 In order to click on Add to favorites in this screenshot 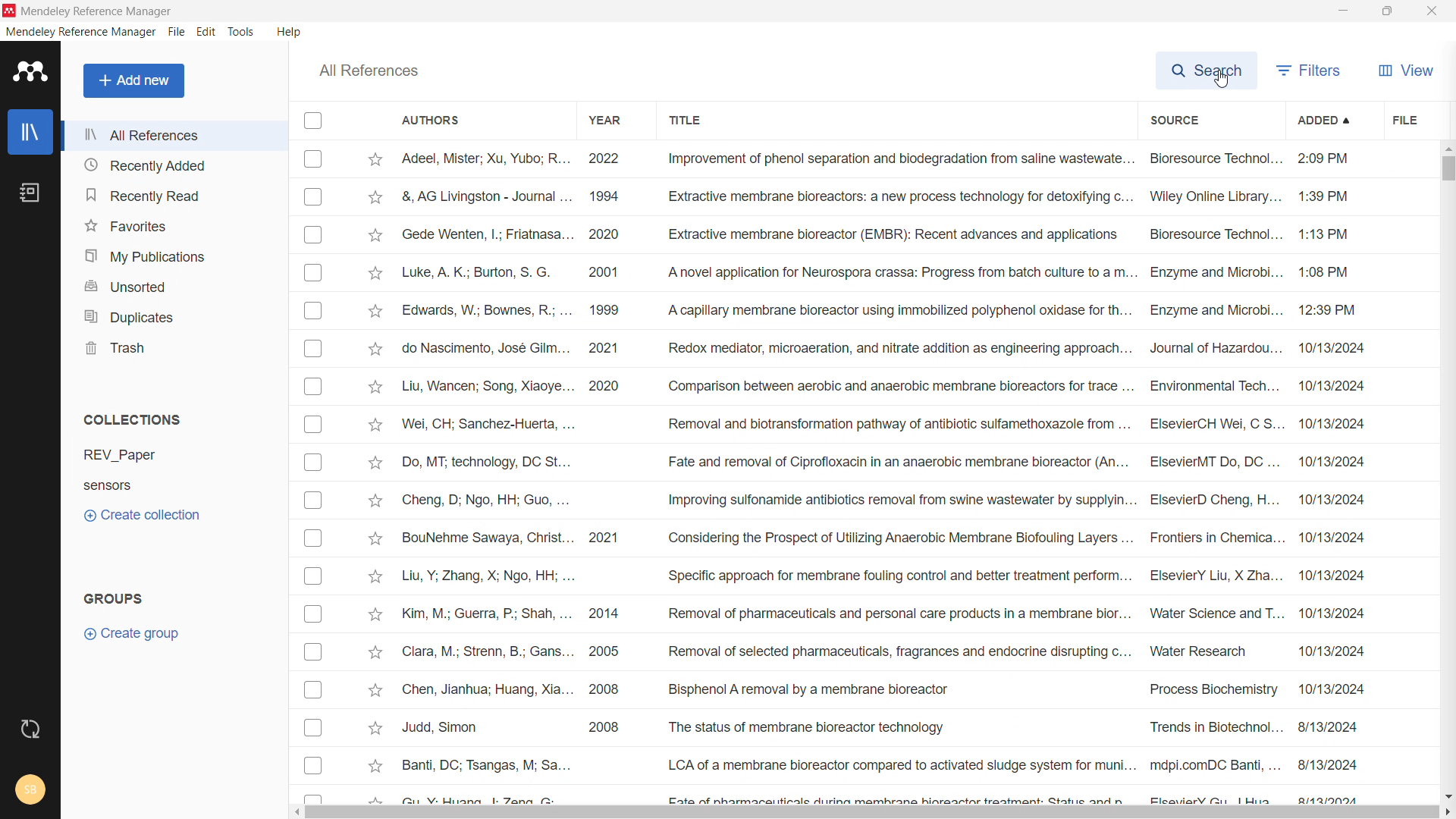, I will do `click(374, 460)`.